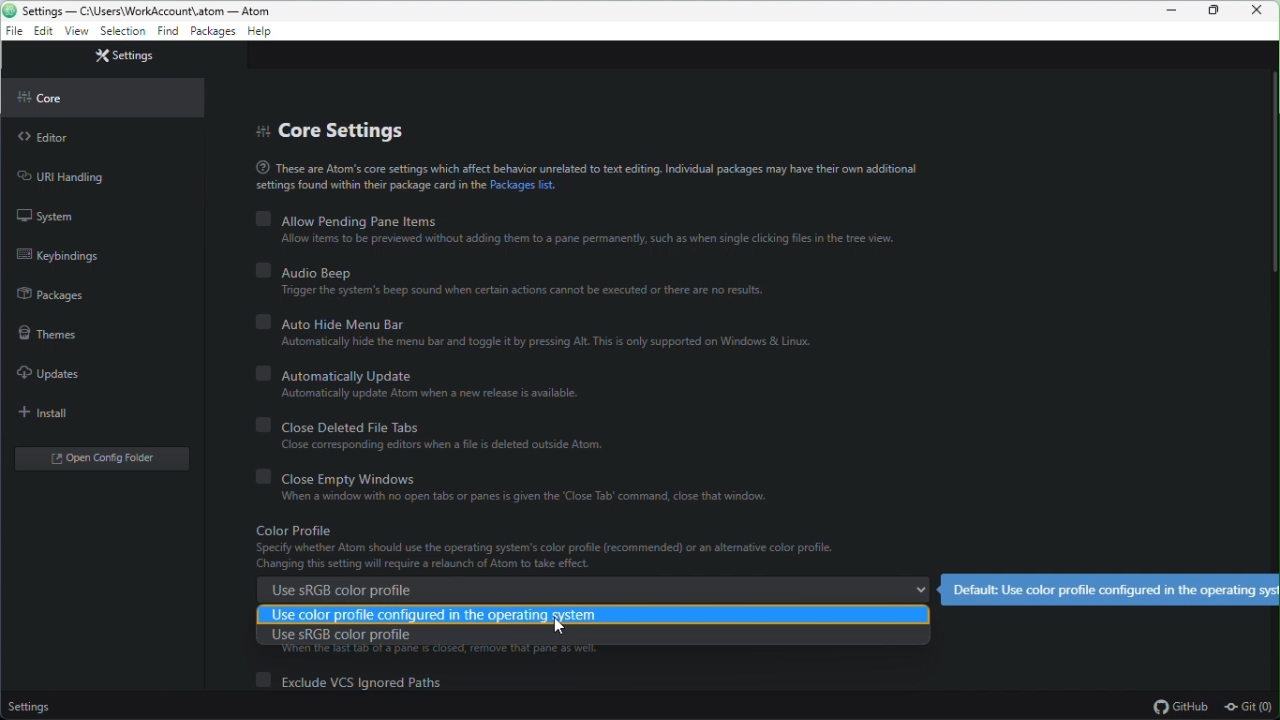  Describe the element at coordinates (424, 384) in the screenshot. I see `Automatically update` at that location.